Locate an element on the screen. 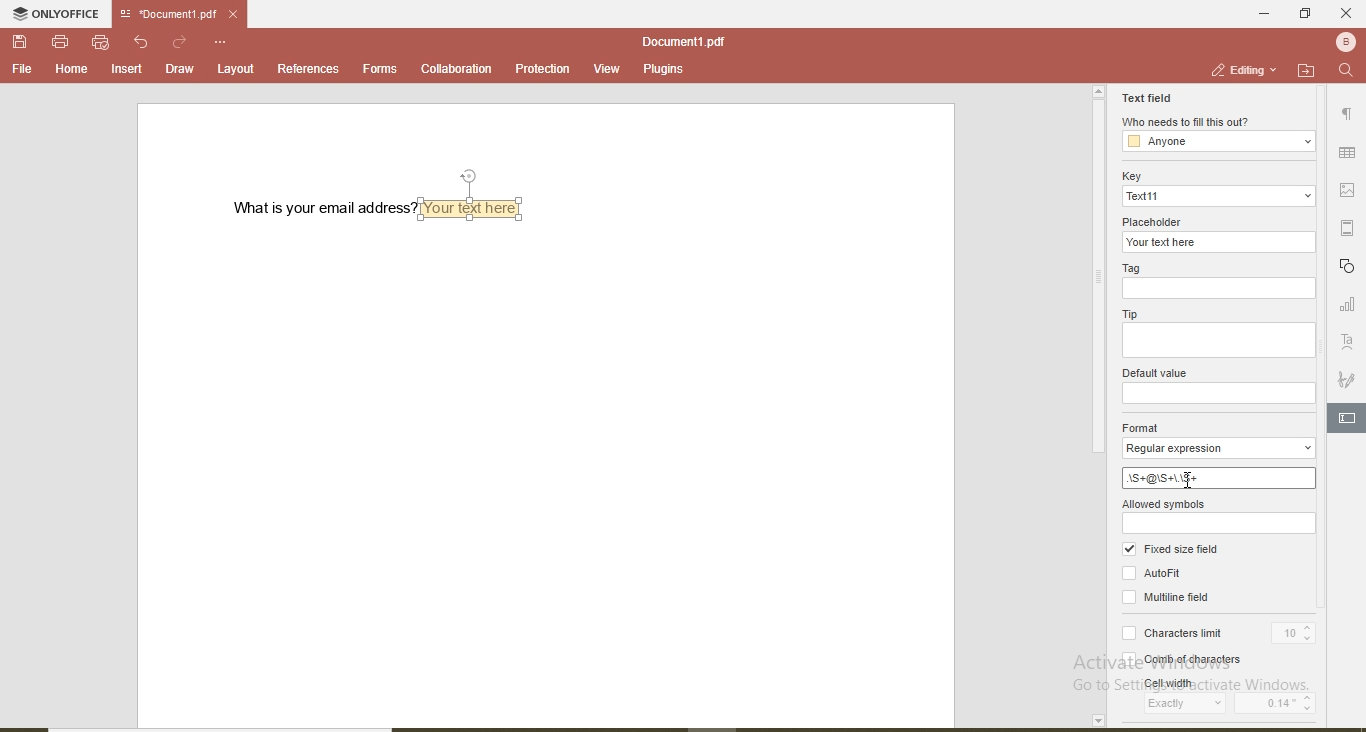 The width and height of the screenshot is (1366, 732). key is located at coordinates (1129, 176).